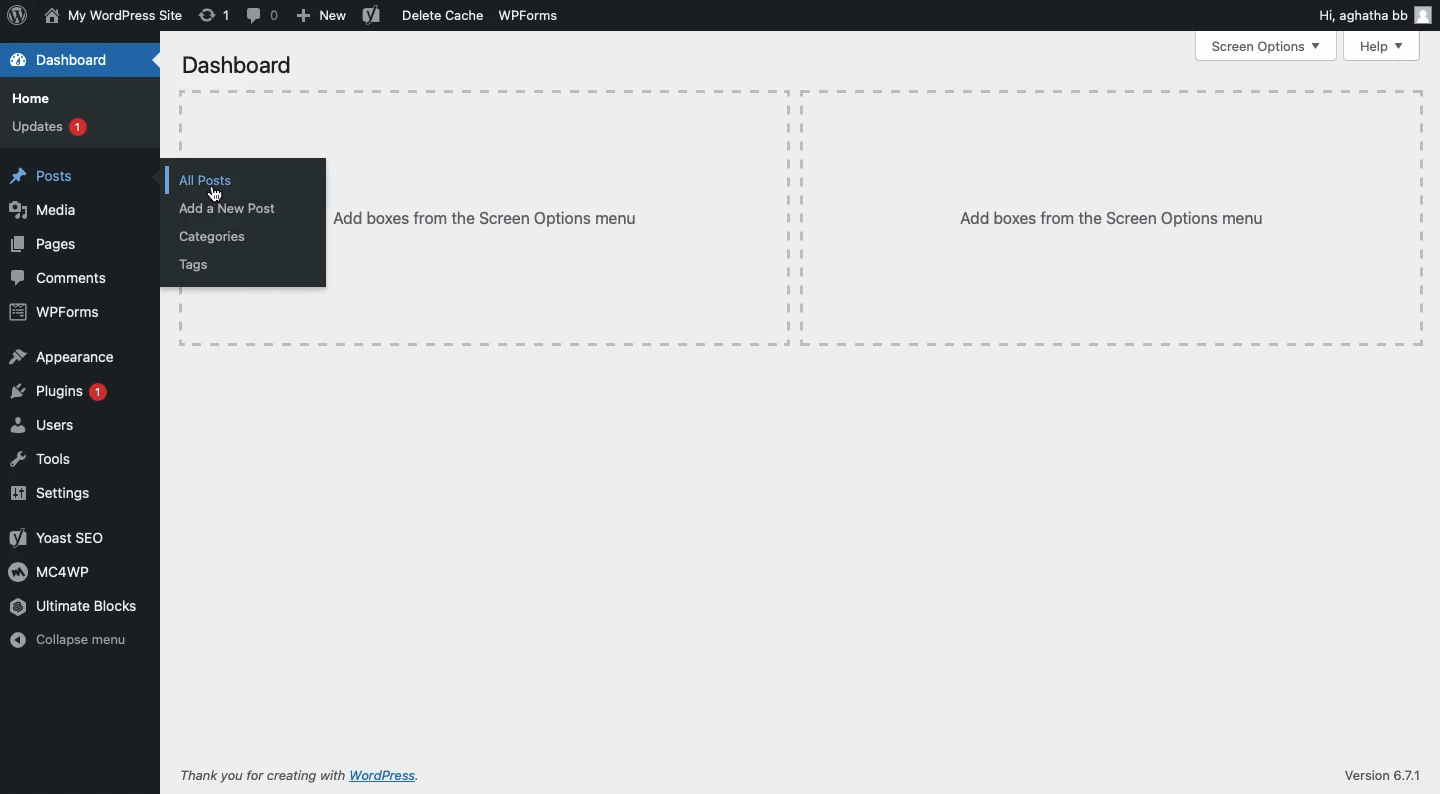 The image size is (1440, 794). Describe the element at coordinates (51, 127) in the screenshot. I see `Updates` at that location.